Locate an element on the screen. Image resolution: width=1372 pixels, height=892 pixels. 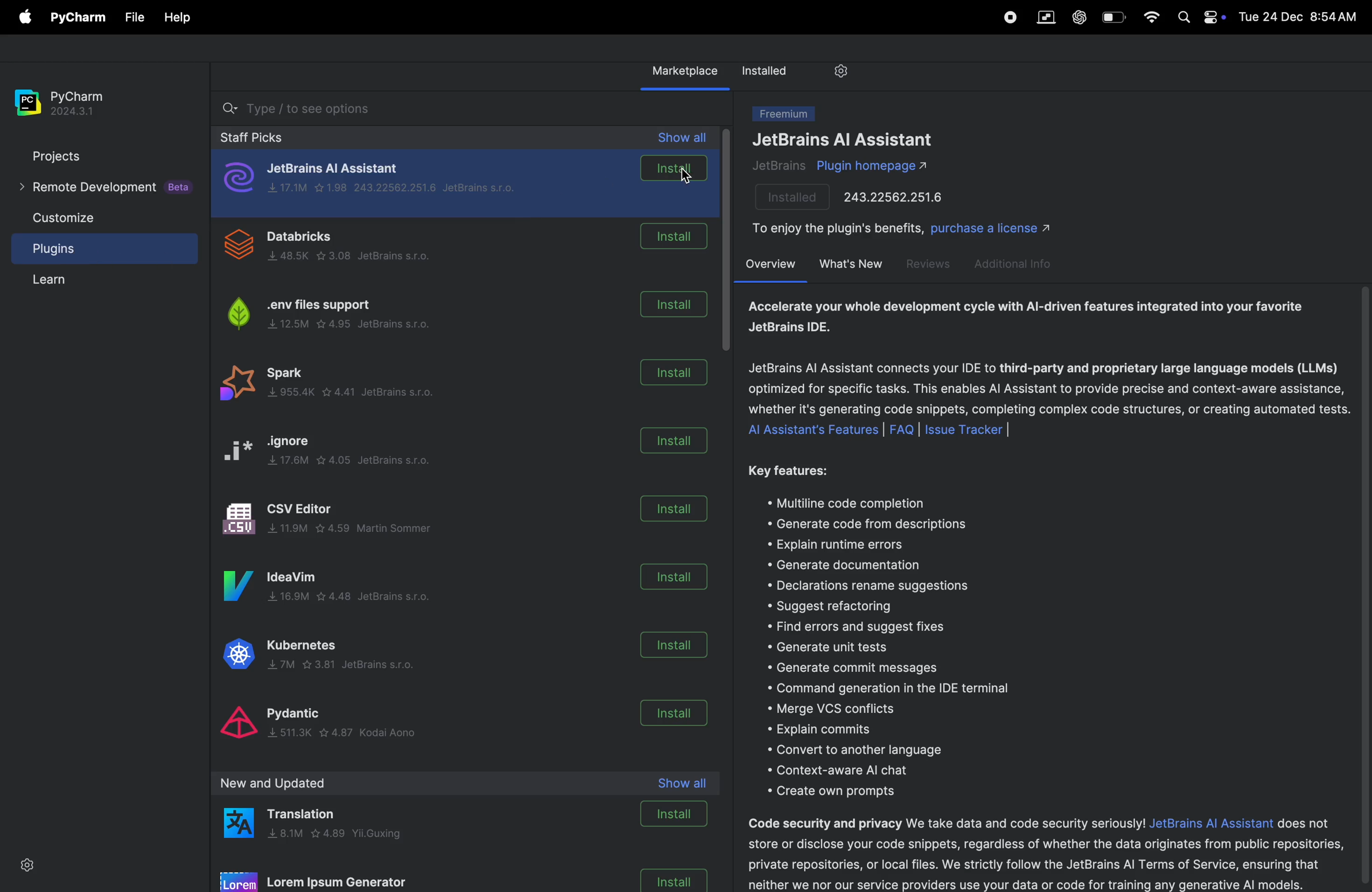
battery is located at coordinates (1109, 16).